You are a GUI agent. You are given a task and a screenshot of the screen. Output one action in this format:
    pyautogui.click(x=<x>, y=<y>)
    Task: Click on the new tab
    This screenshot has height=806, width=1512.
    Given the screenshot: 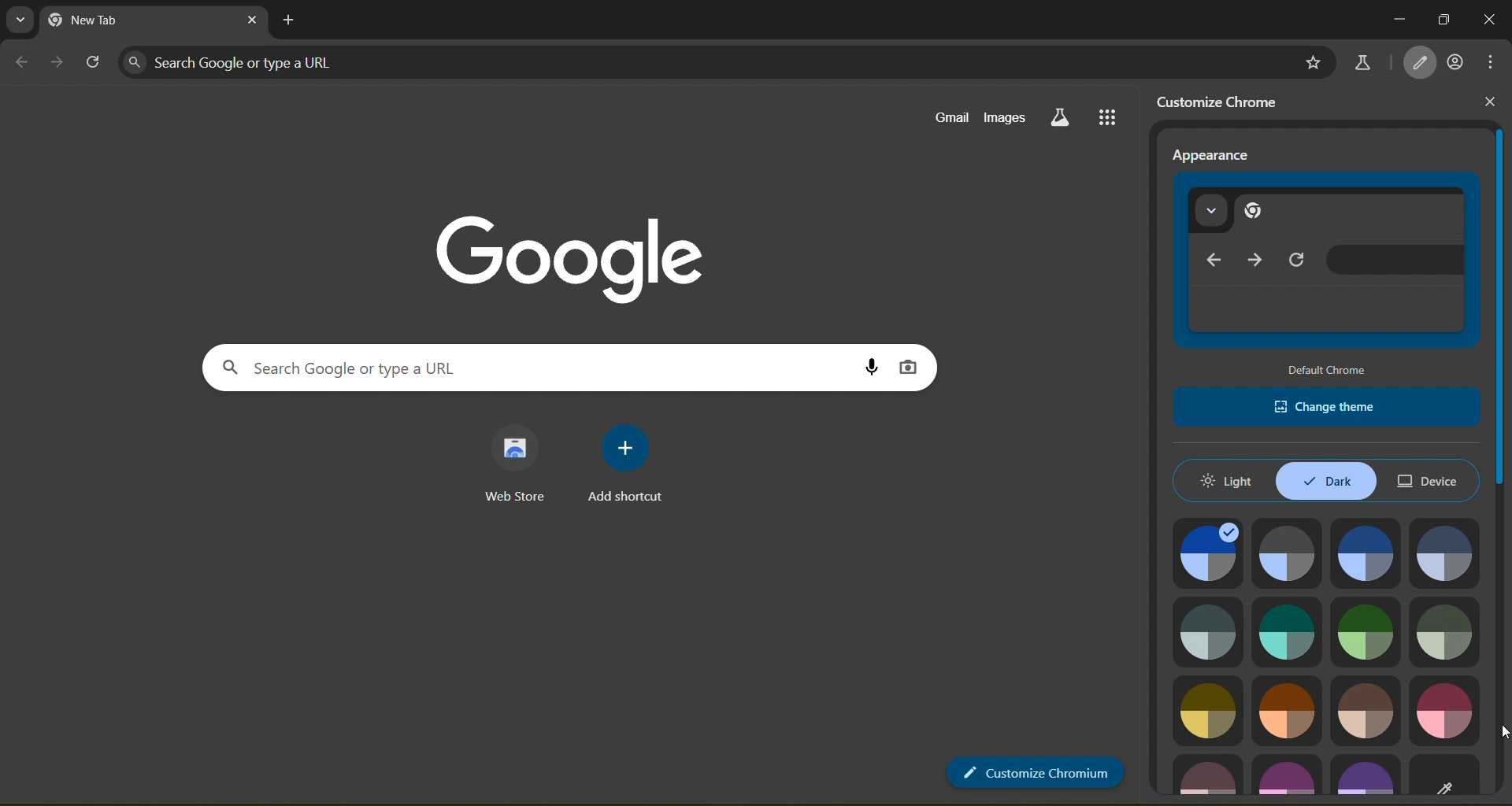 What is the action you would take?
    pyautogui.click(x=291, y=21)
    